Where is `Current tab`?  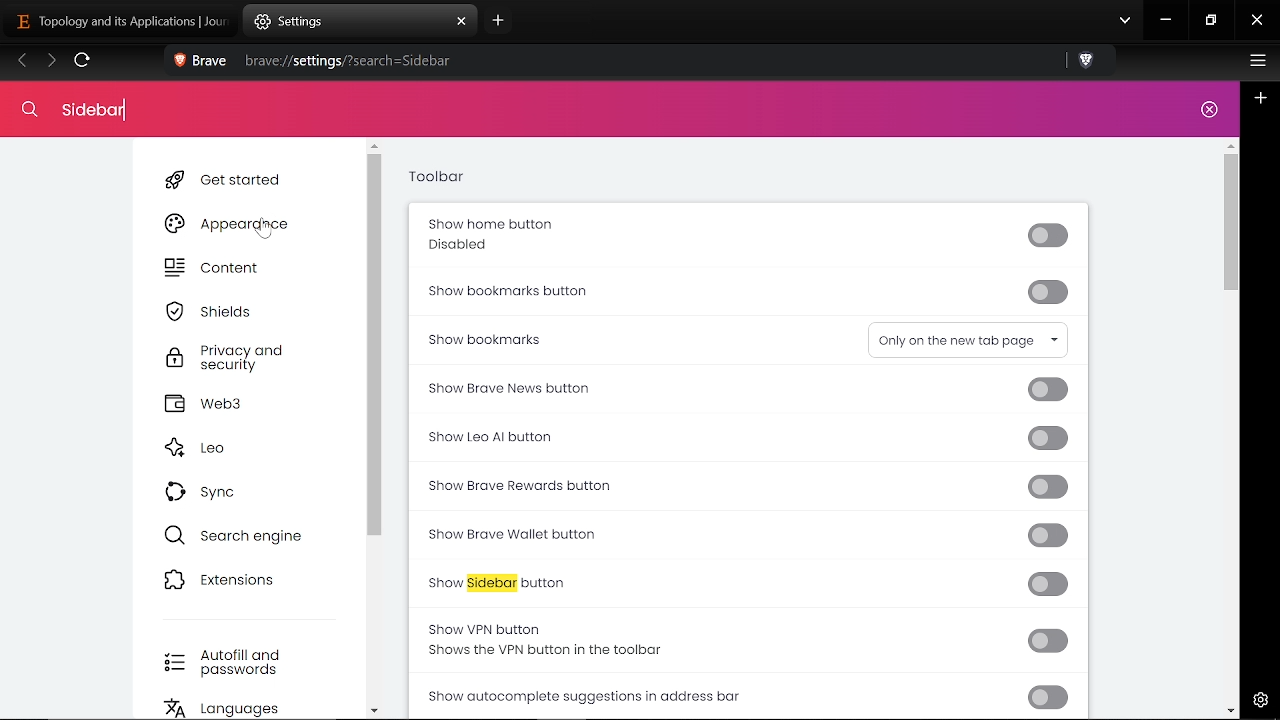 Current tab is located at coordinates (119, 20).